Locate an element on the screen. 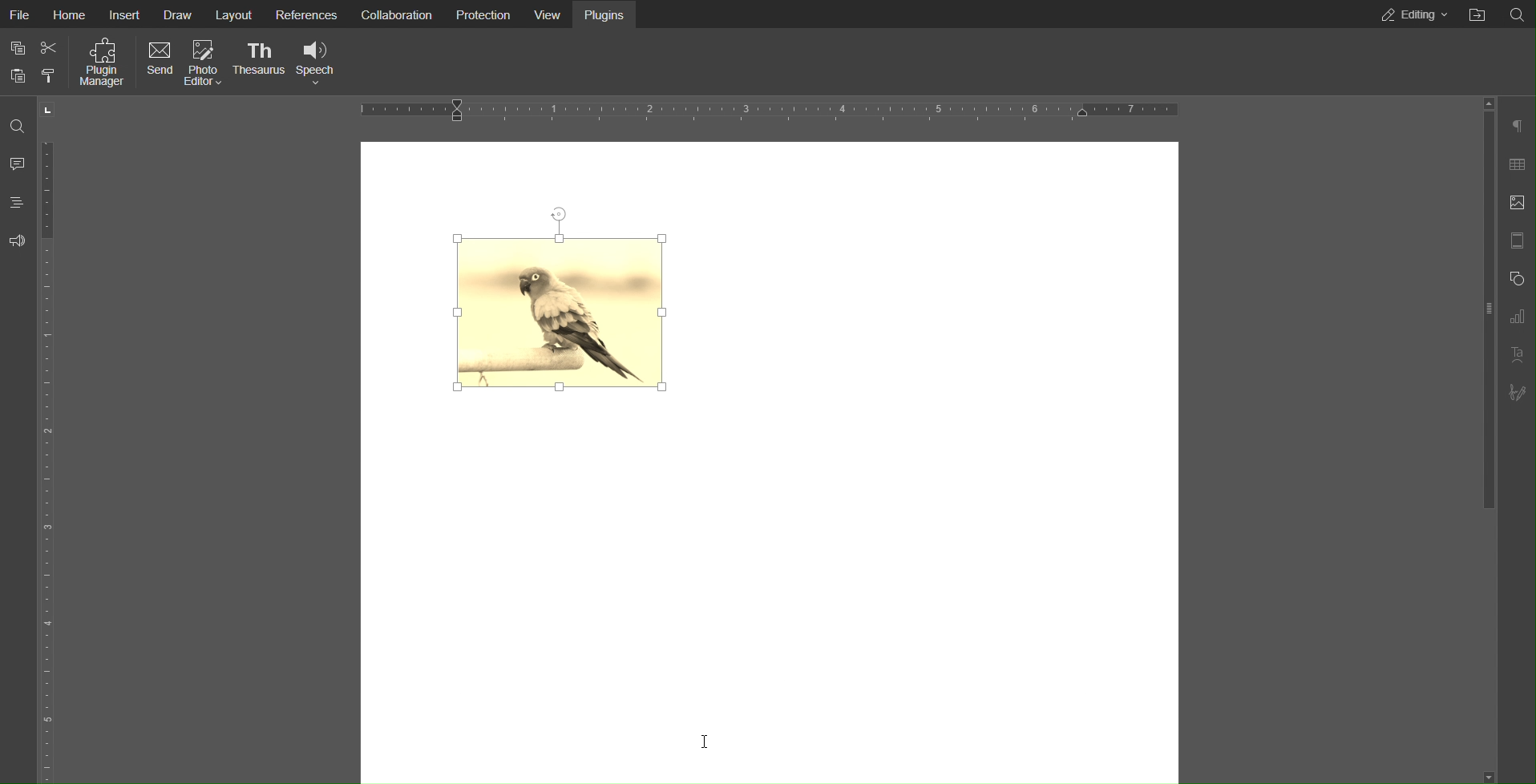 This screenshot has width=1536, height=784. Search is located at coordinates (1518, 14).